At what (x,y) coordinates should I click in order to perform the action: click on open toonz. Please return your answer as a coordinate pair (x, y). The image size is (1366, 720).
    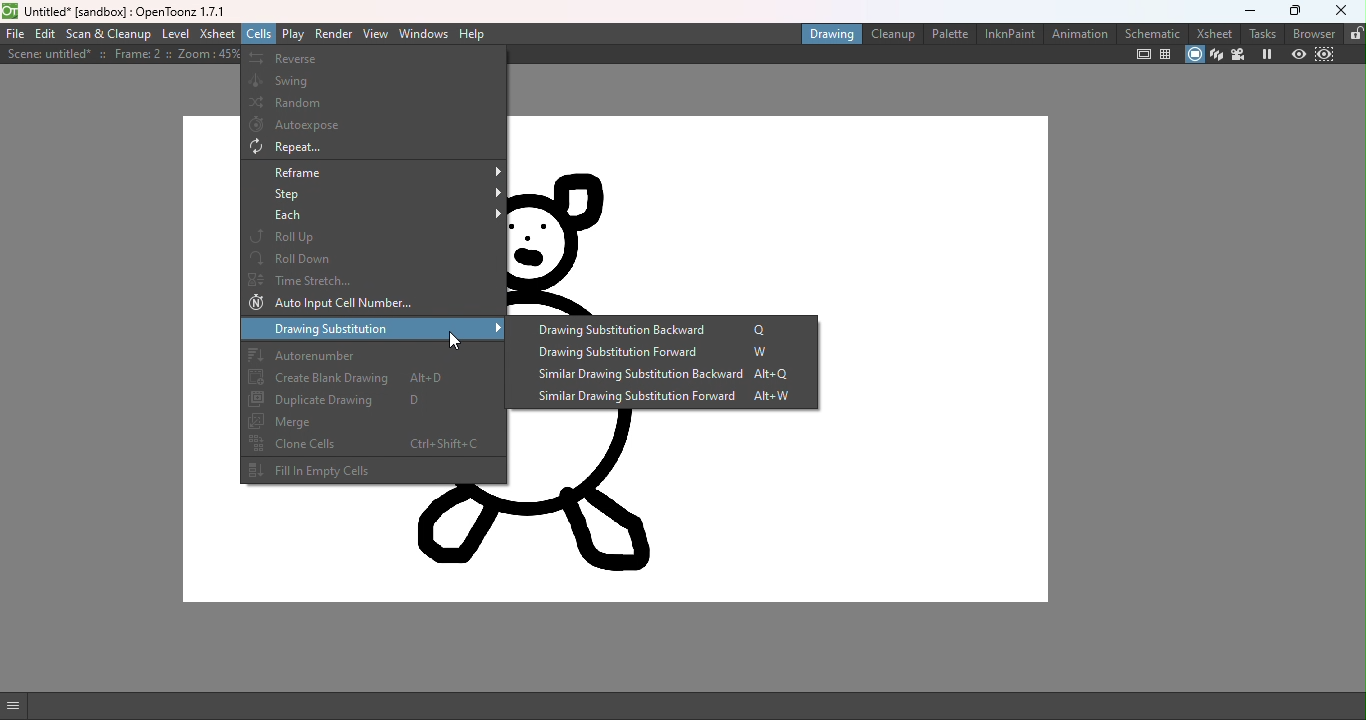
    Looking at the image, I should click on (10, 10).